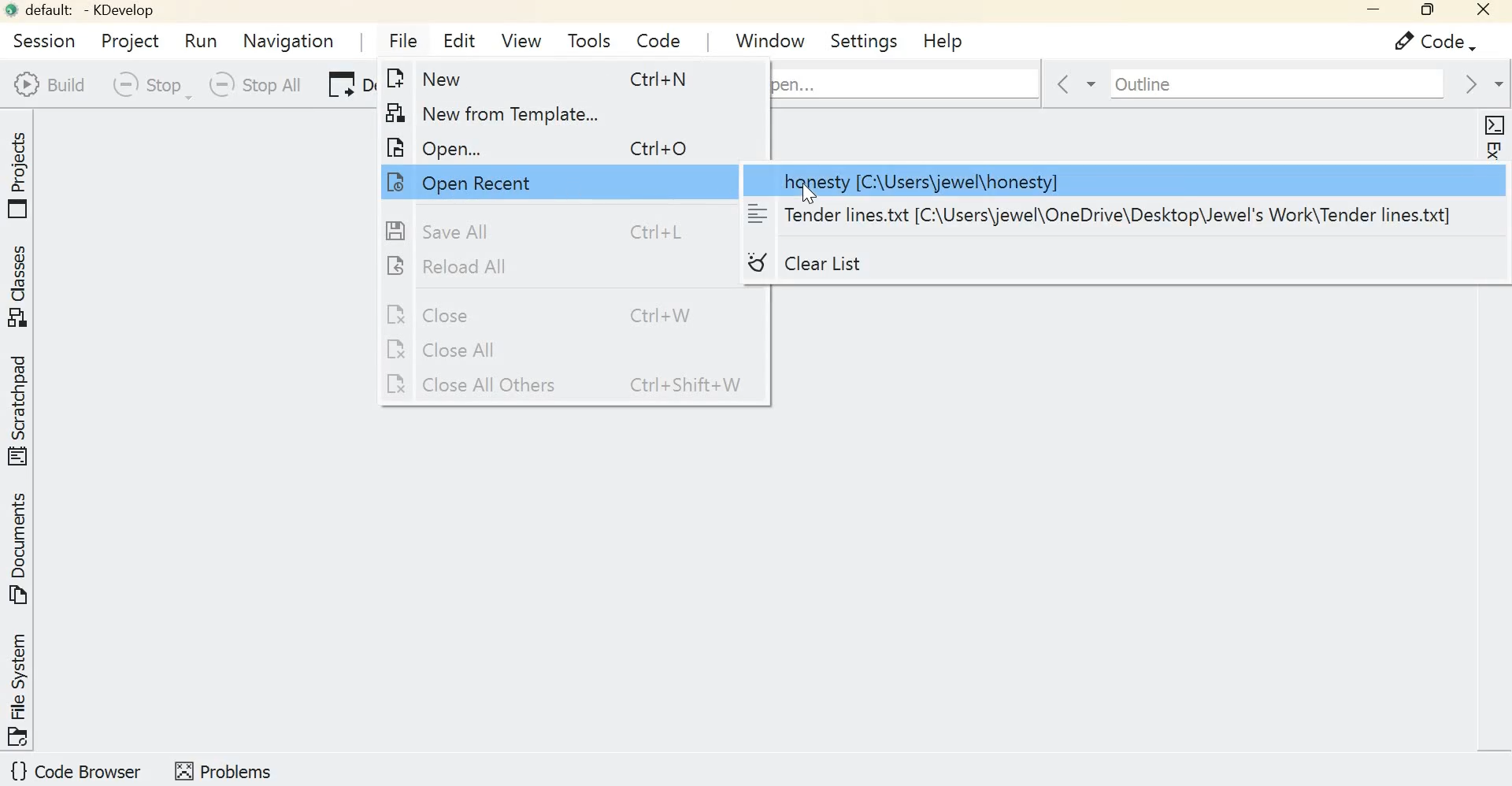  Describe the element at coordinates (810, 193) in the screenshot. I see `cursor` at that location.